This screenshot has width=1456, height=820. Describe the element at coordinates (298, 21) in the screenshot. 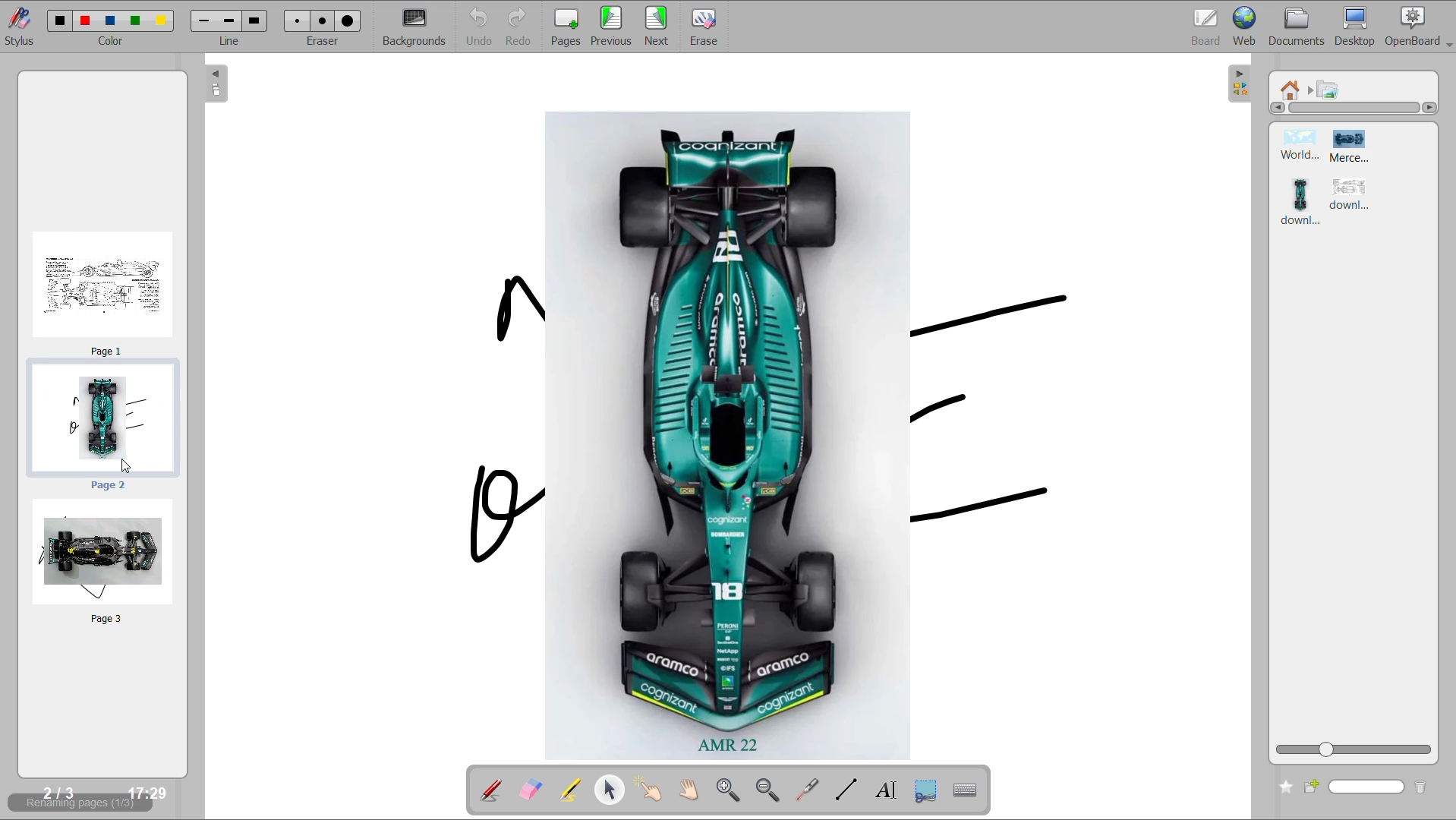

I see `small eraser` at that location.